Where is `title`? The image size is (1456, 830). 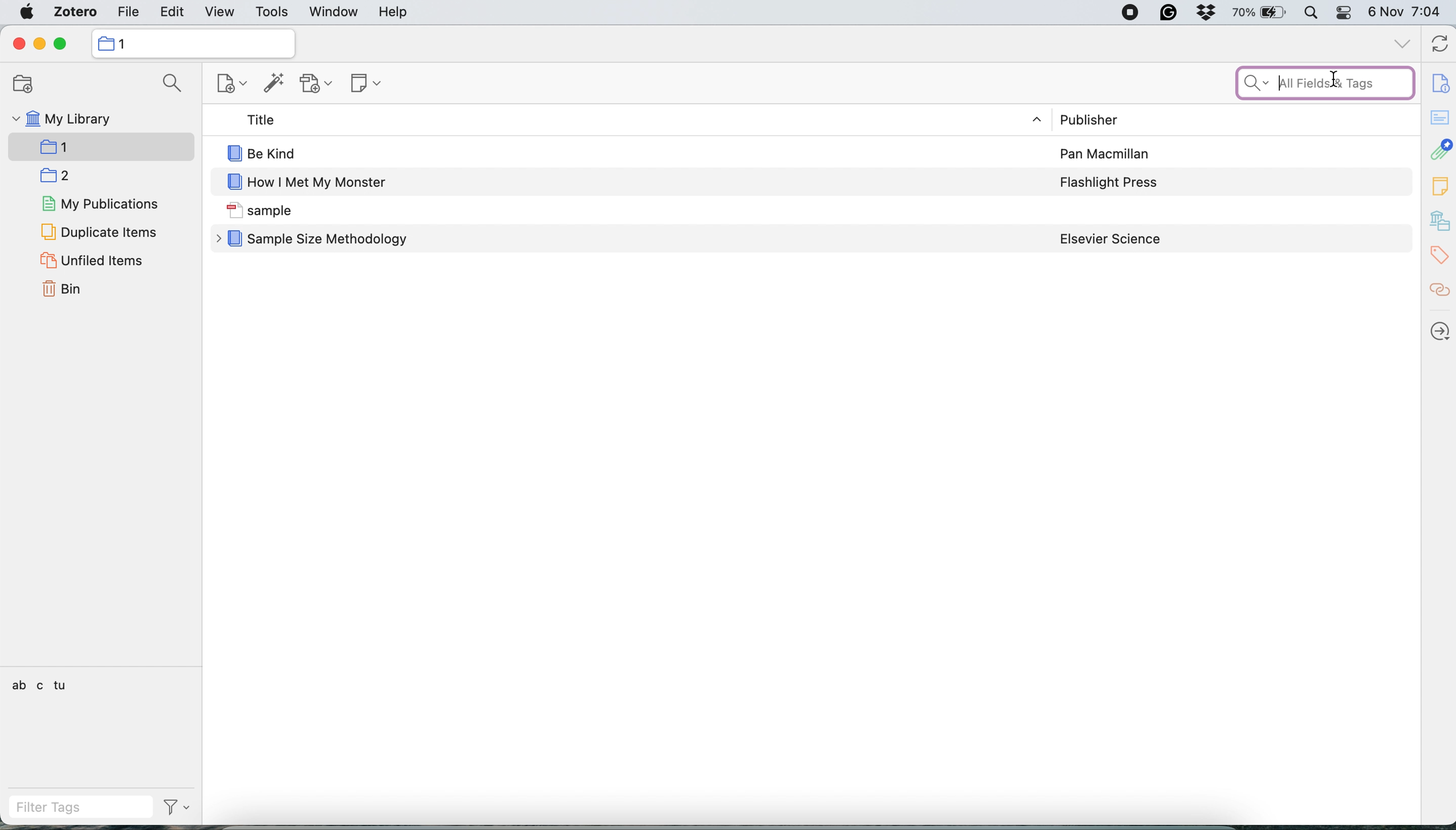
title is located at coordinates (256, 120).